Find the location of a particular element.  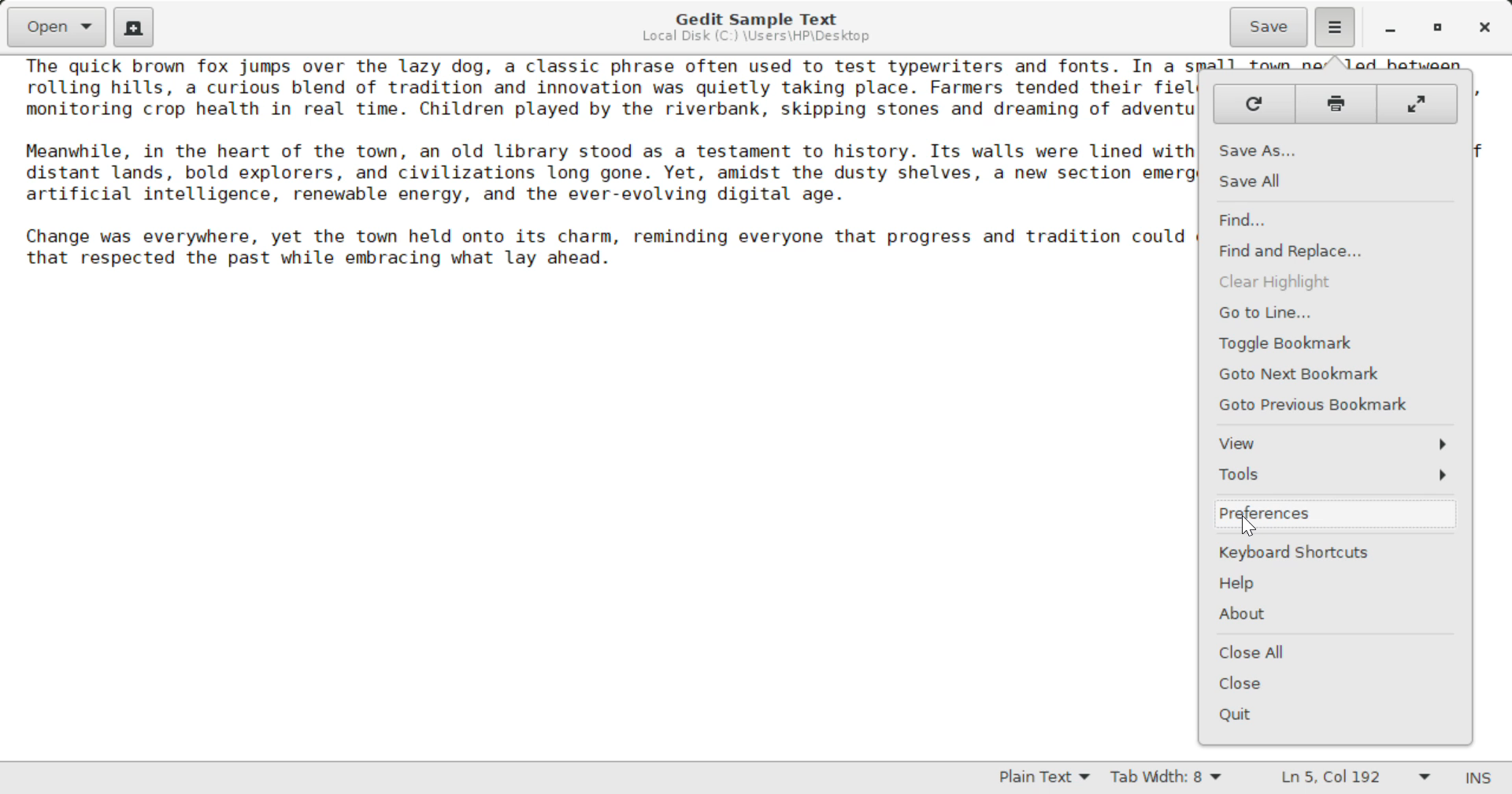

About is located at coordinates (1258, 613).